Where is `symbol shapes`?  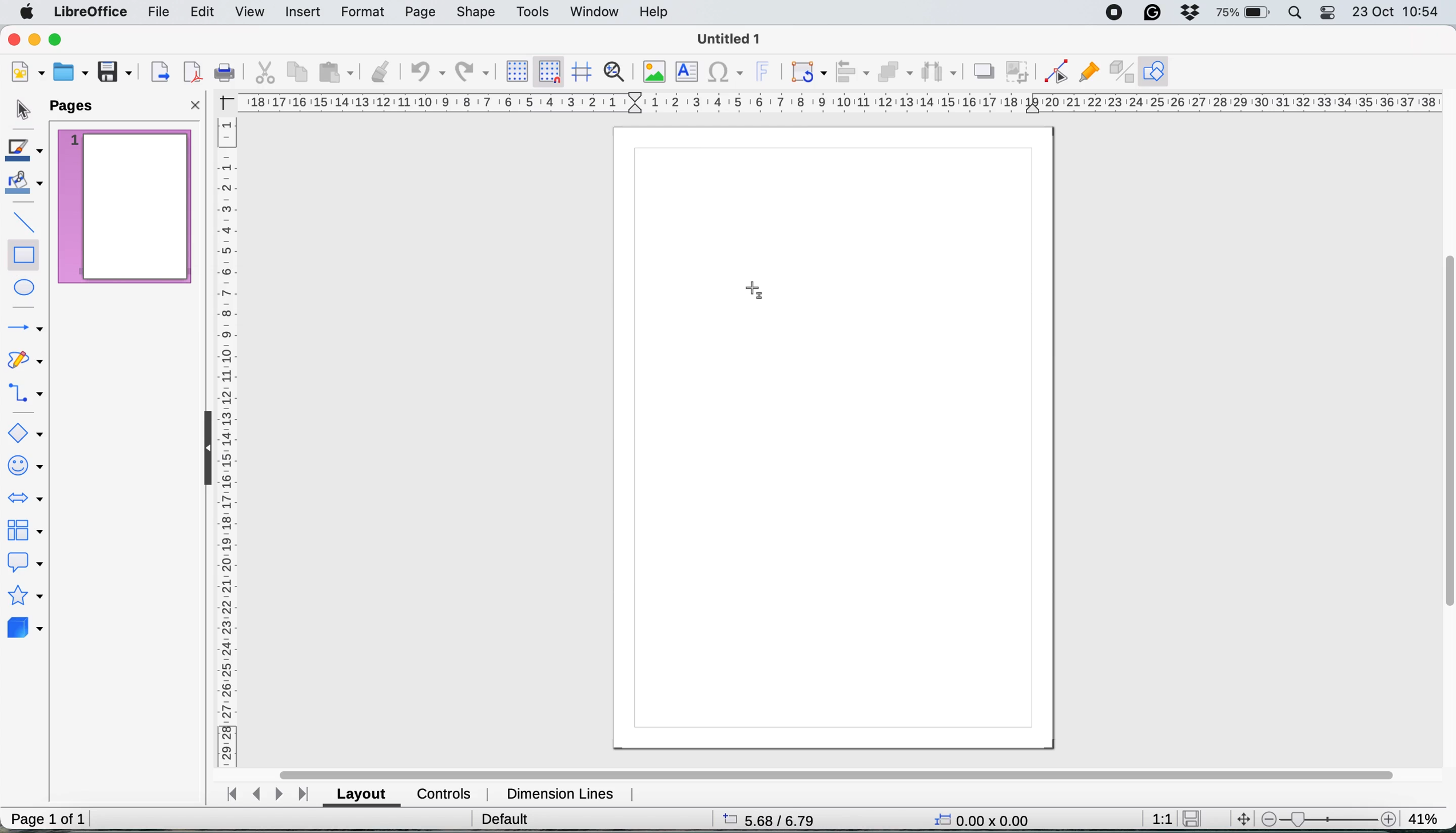 symbol shapes is located at coordinates (24, 463).